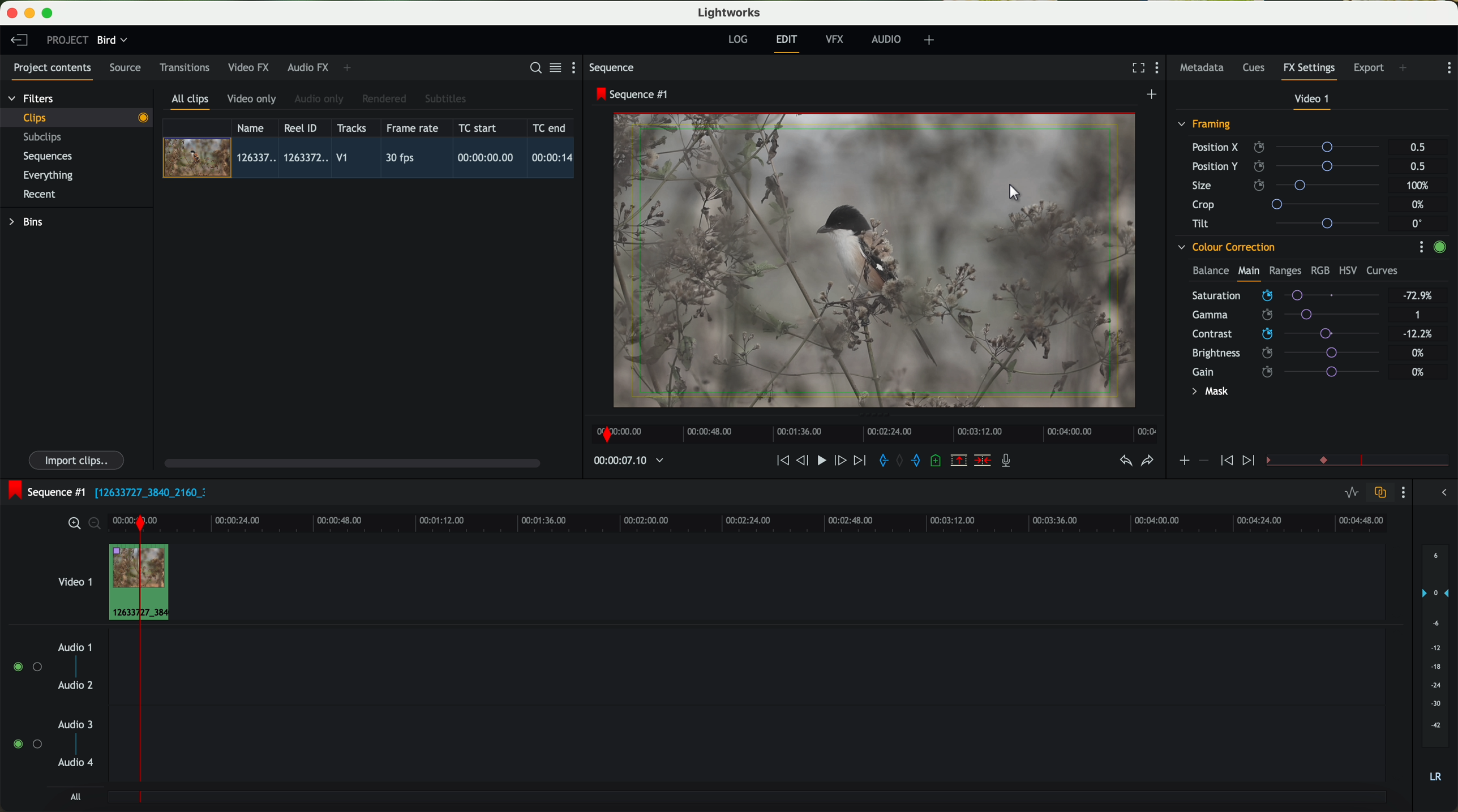 This screenshot has width=1458, height=812. Describe the element at coordinates (49, 175) in the screenshot. I see `everything` at that location.